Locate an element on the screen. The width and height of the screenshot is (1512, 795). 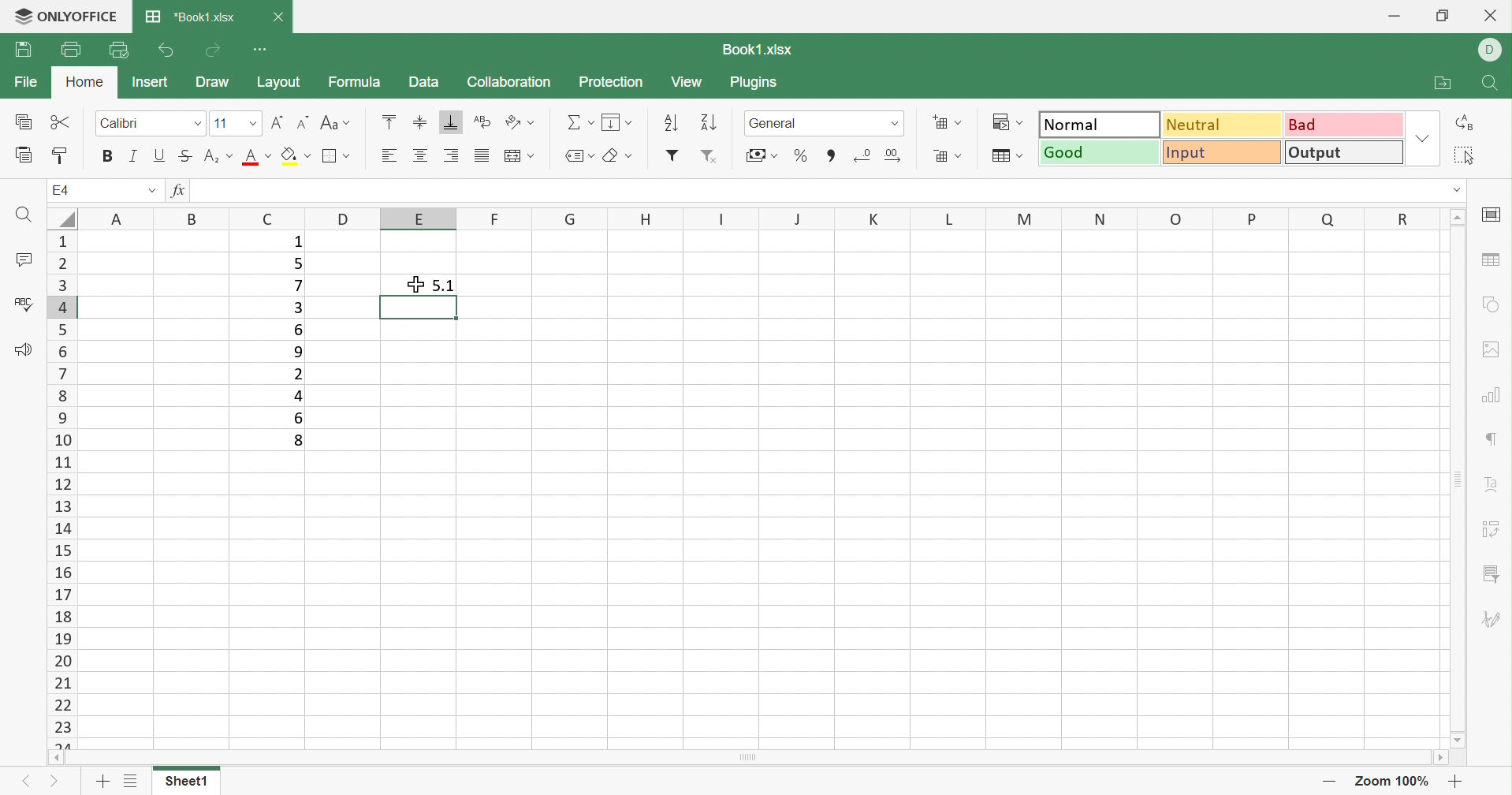
Feedback & Support is located at coordinates (23, 352).